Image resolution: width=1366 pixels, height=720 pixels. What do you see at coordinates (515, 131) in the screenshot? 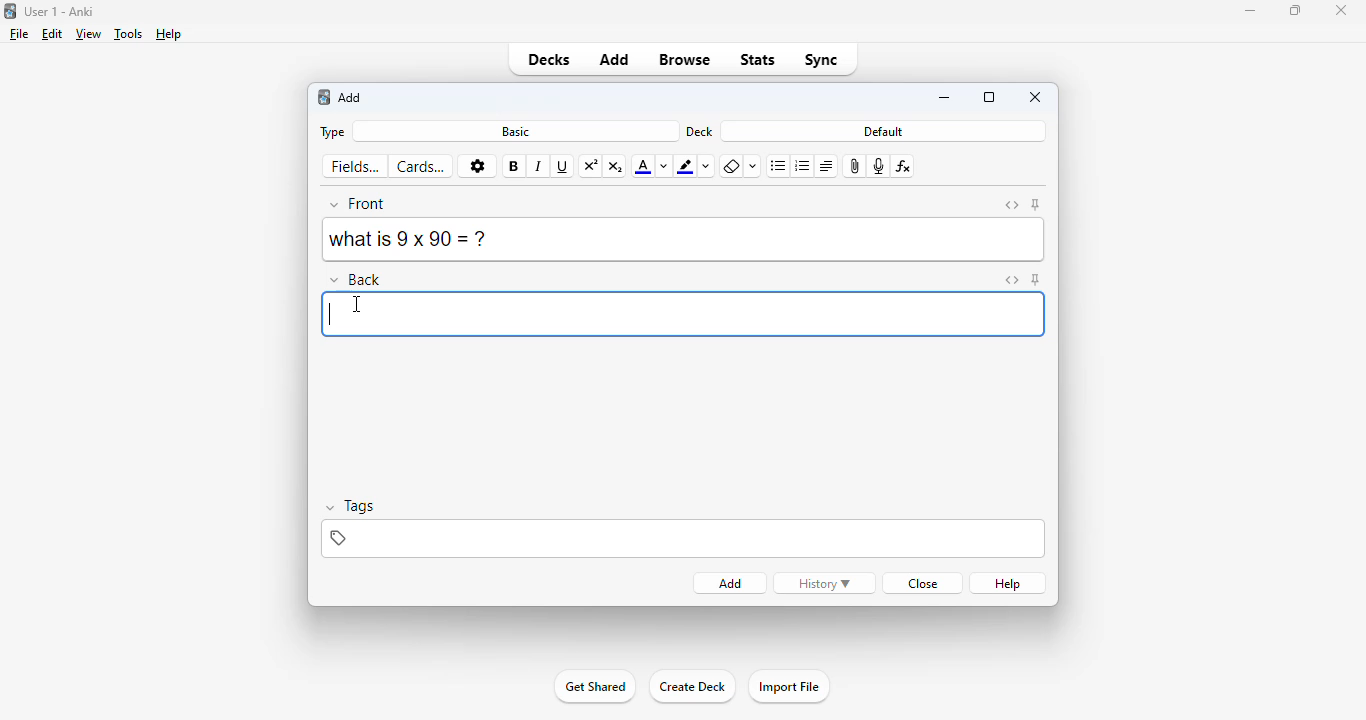
I see `basic` at bounding box center [515, 131].